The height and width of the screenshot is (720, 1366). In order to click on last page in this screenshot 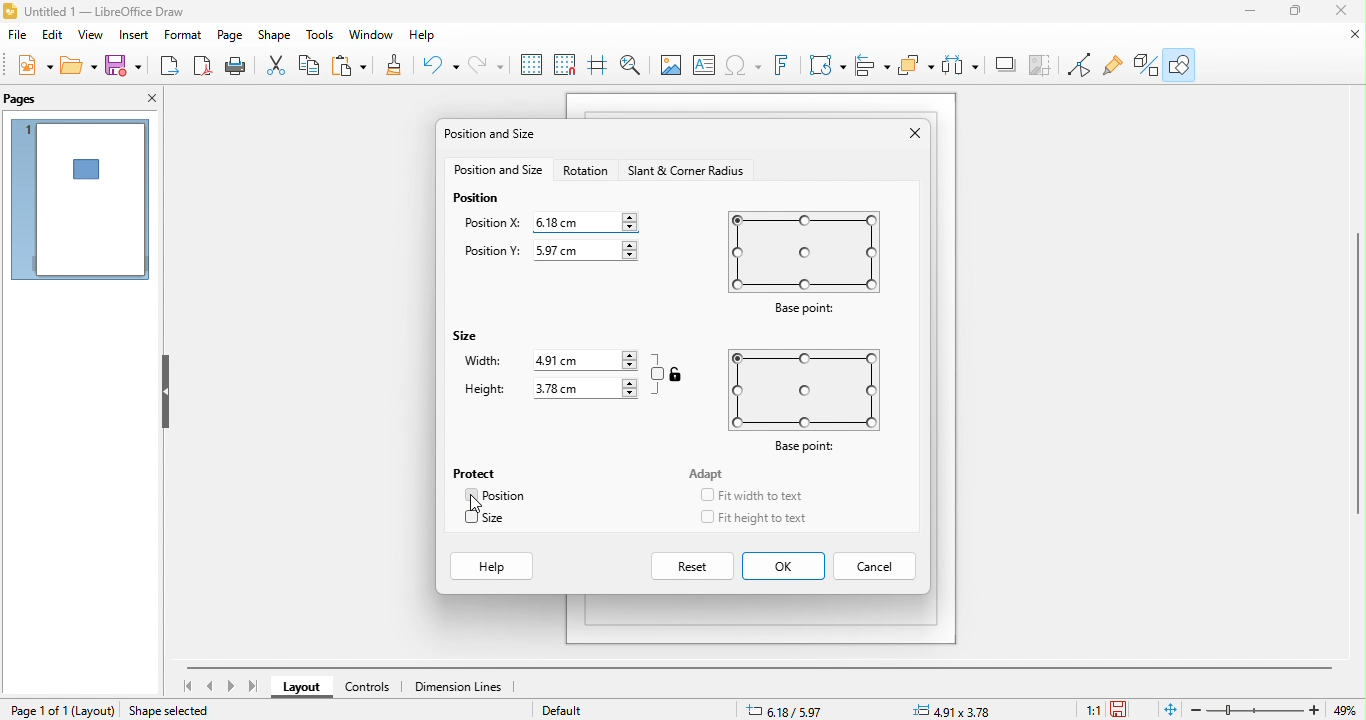, I will do `click(255, 687)`.